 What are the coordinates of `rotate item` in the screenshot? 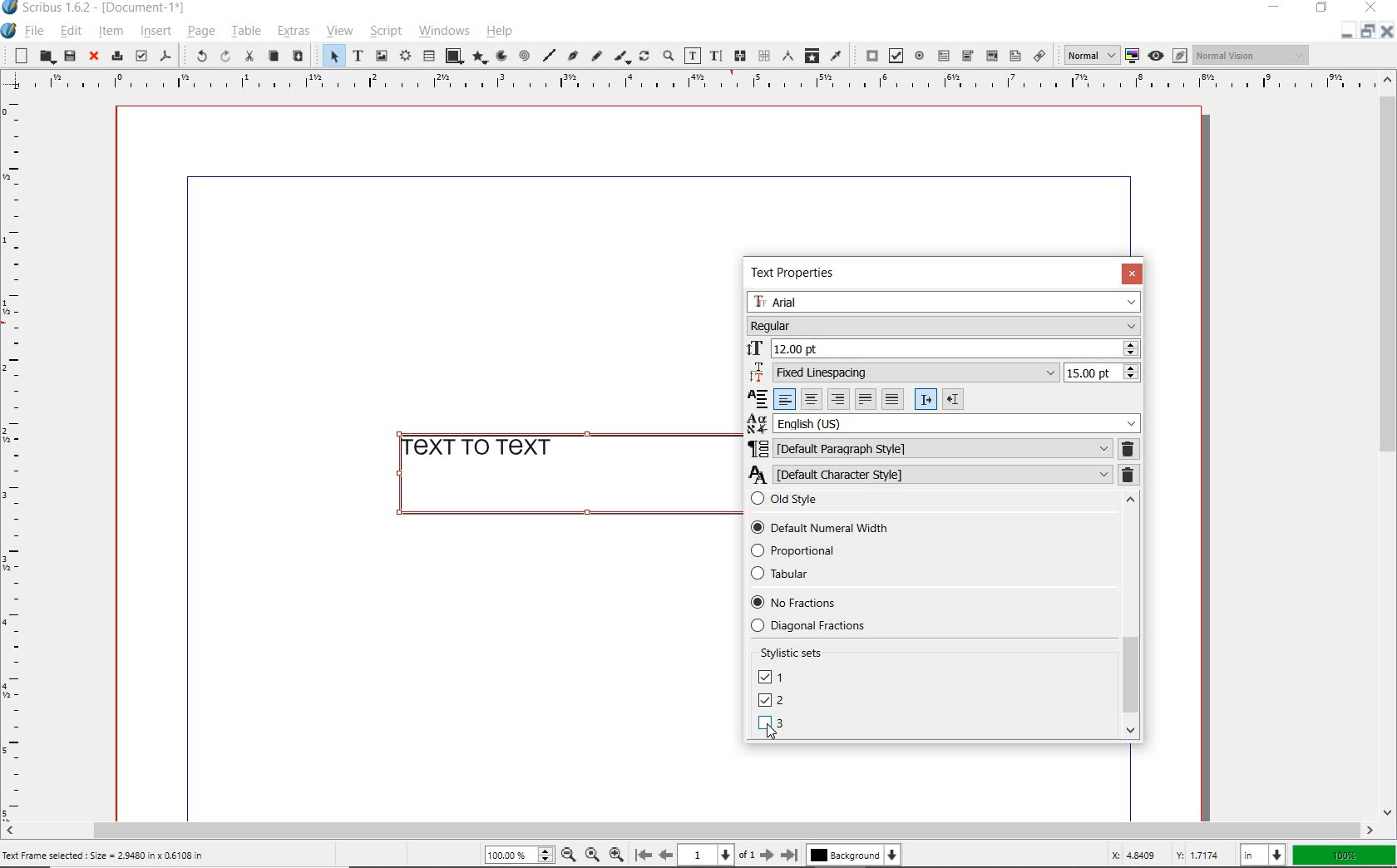 It's located at (644, 57).